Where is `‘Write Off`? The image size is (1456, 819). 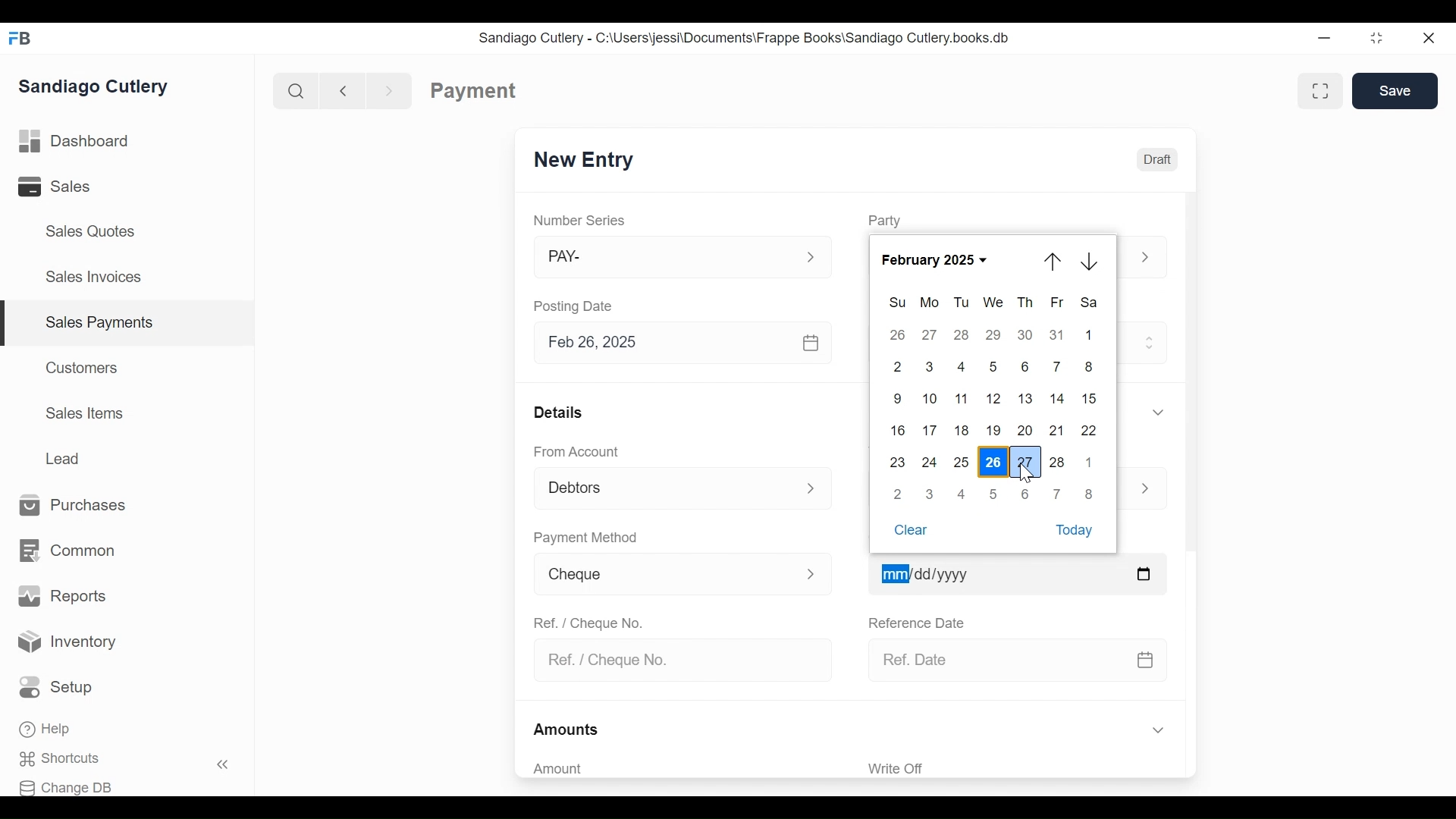 ‘Write Off is located at coordinates (1019, 768).